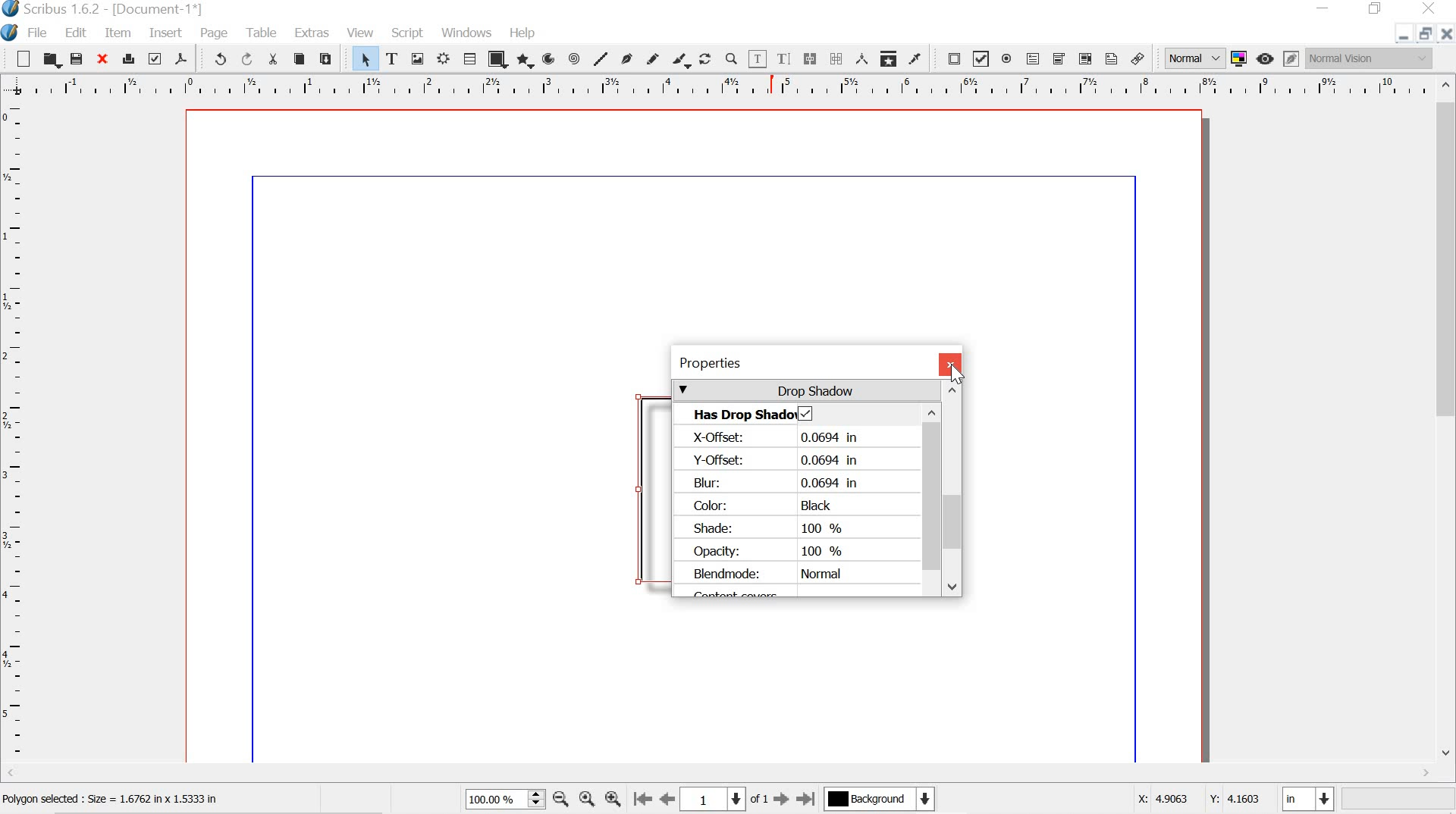 This screenshot has width=1456, height=814. I want to click on Polygon selected : Size = 1.6762 in x 1.5333 in, so click(115, 800).